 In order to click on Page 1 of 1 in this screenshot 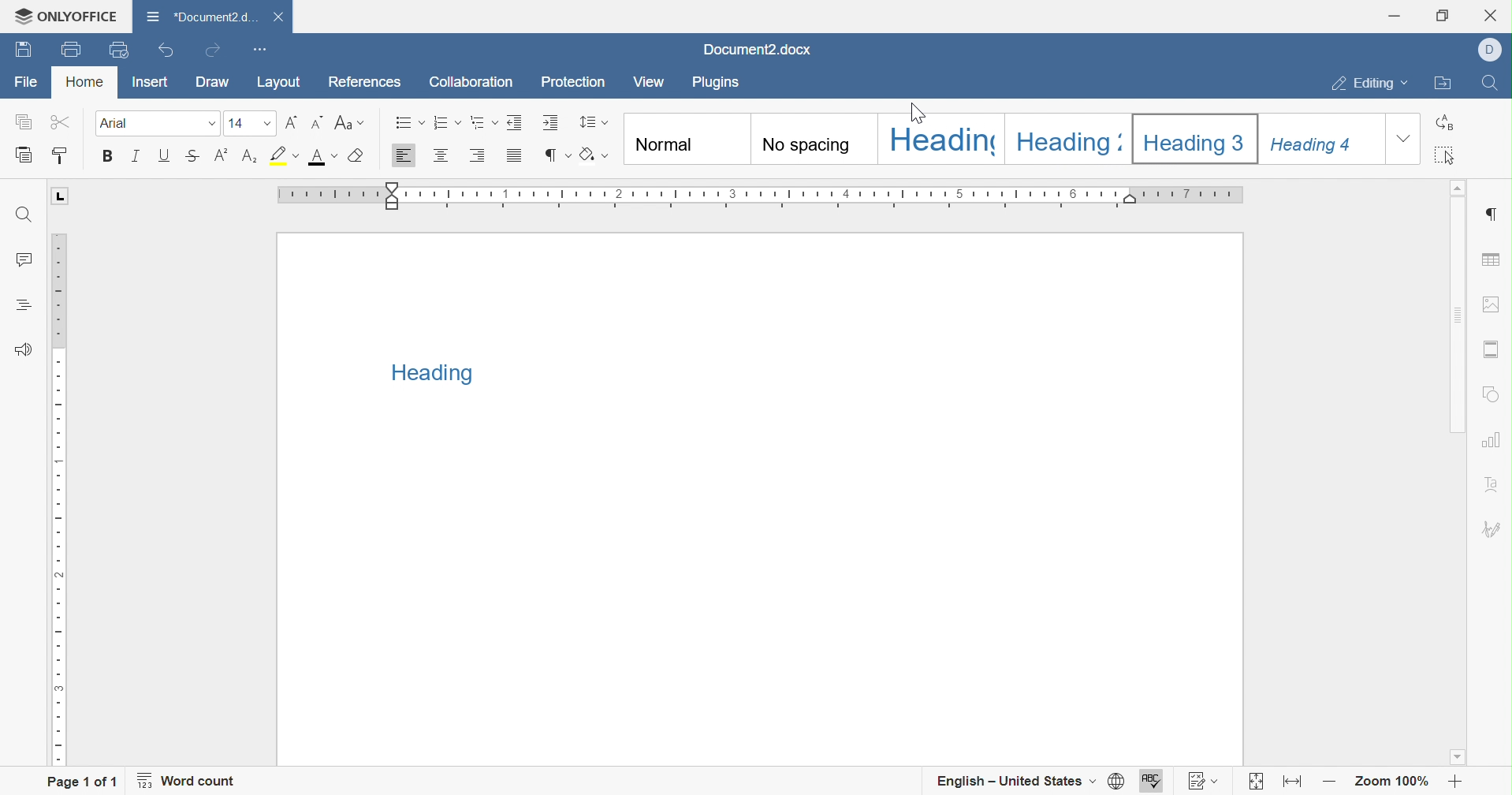, I will do `click(81, 782)`.